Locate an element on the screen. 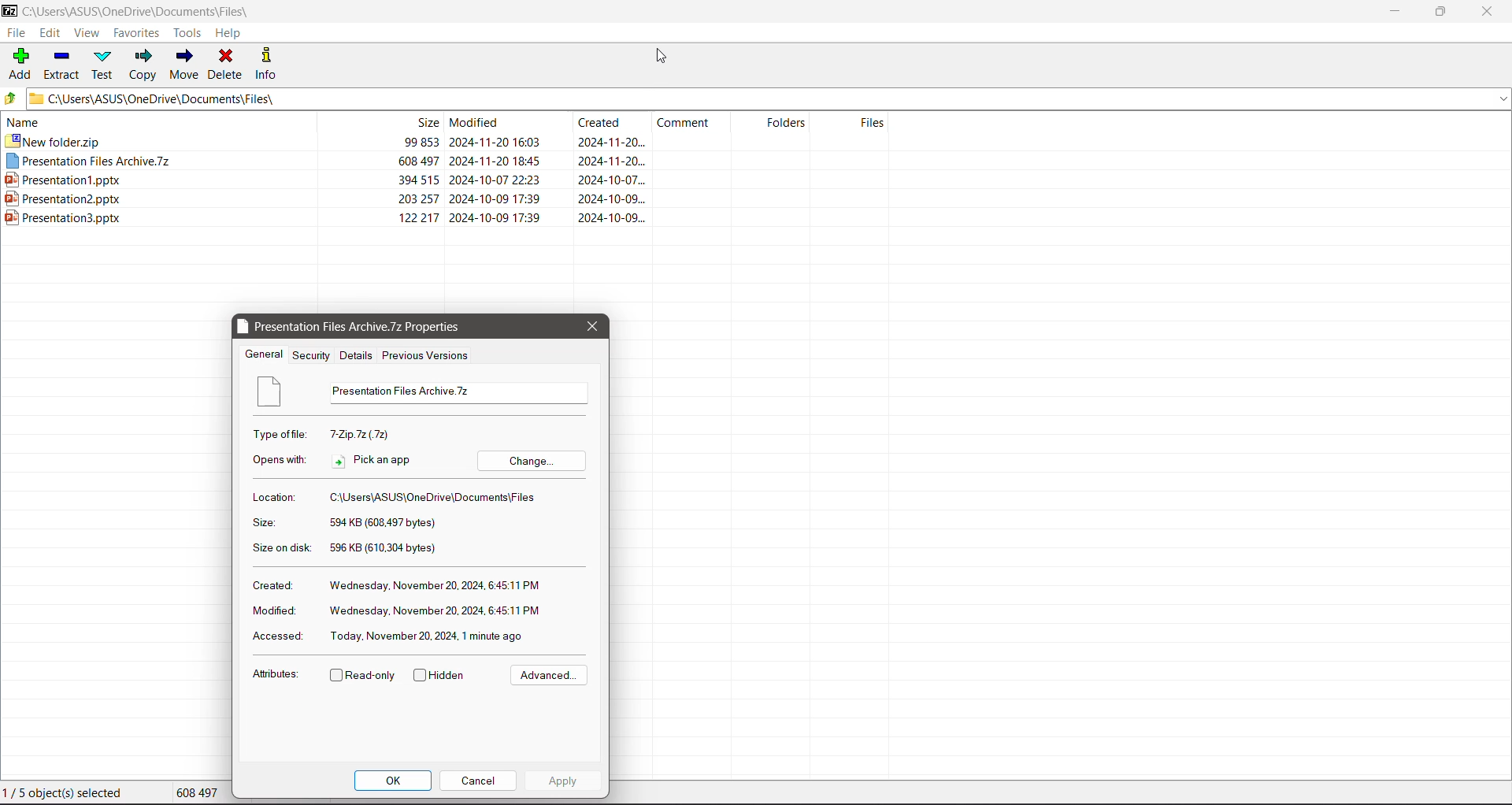 The width and height of the screenshot is (1512, 805). Security is located at coordinates (312, 354).